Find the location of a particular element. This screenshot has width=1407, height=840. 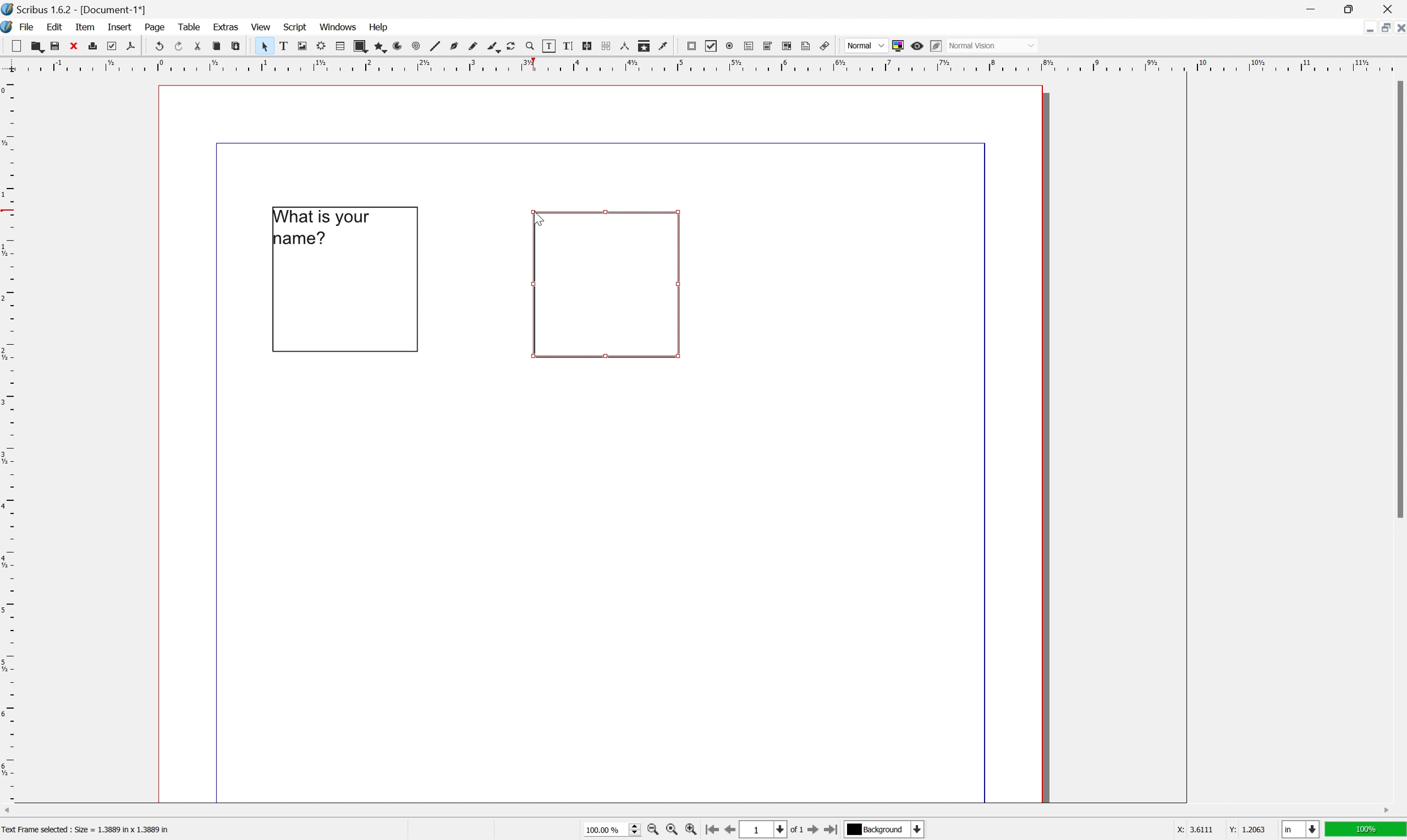

close is located at coordinates (74, 45).